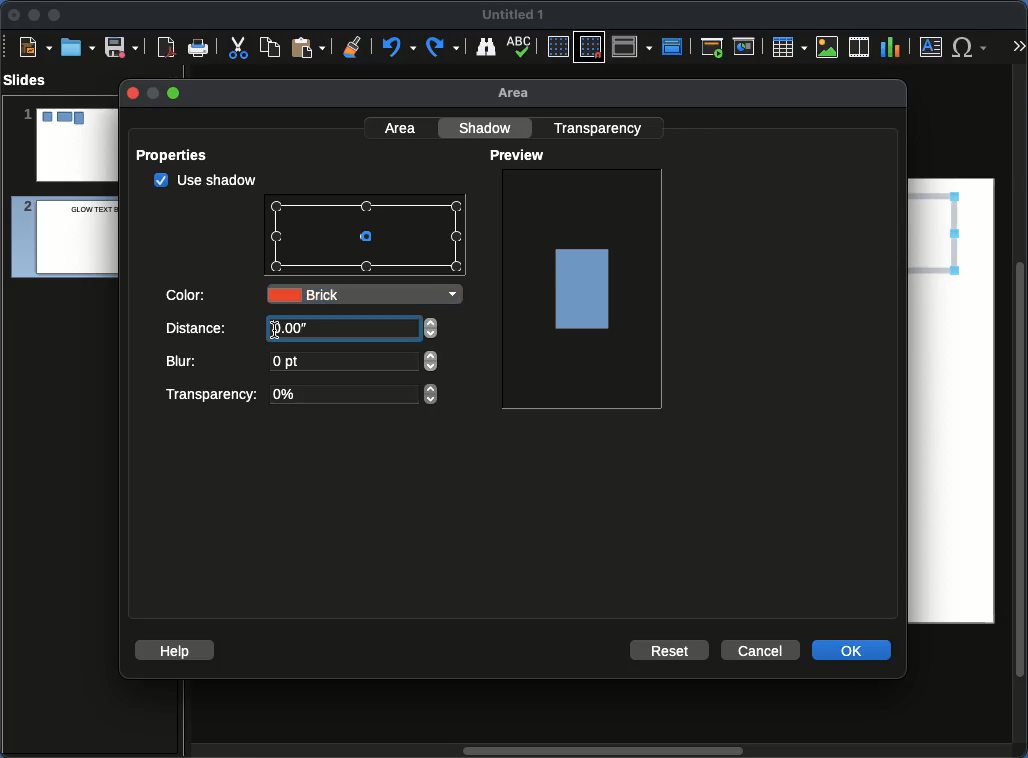 The height and width of the screenshot is (758, 1028). What do you see at coordinates (671, 649) in the screenshot?
I see `Reset` at bounding box center [671, 649].